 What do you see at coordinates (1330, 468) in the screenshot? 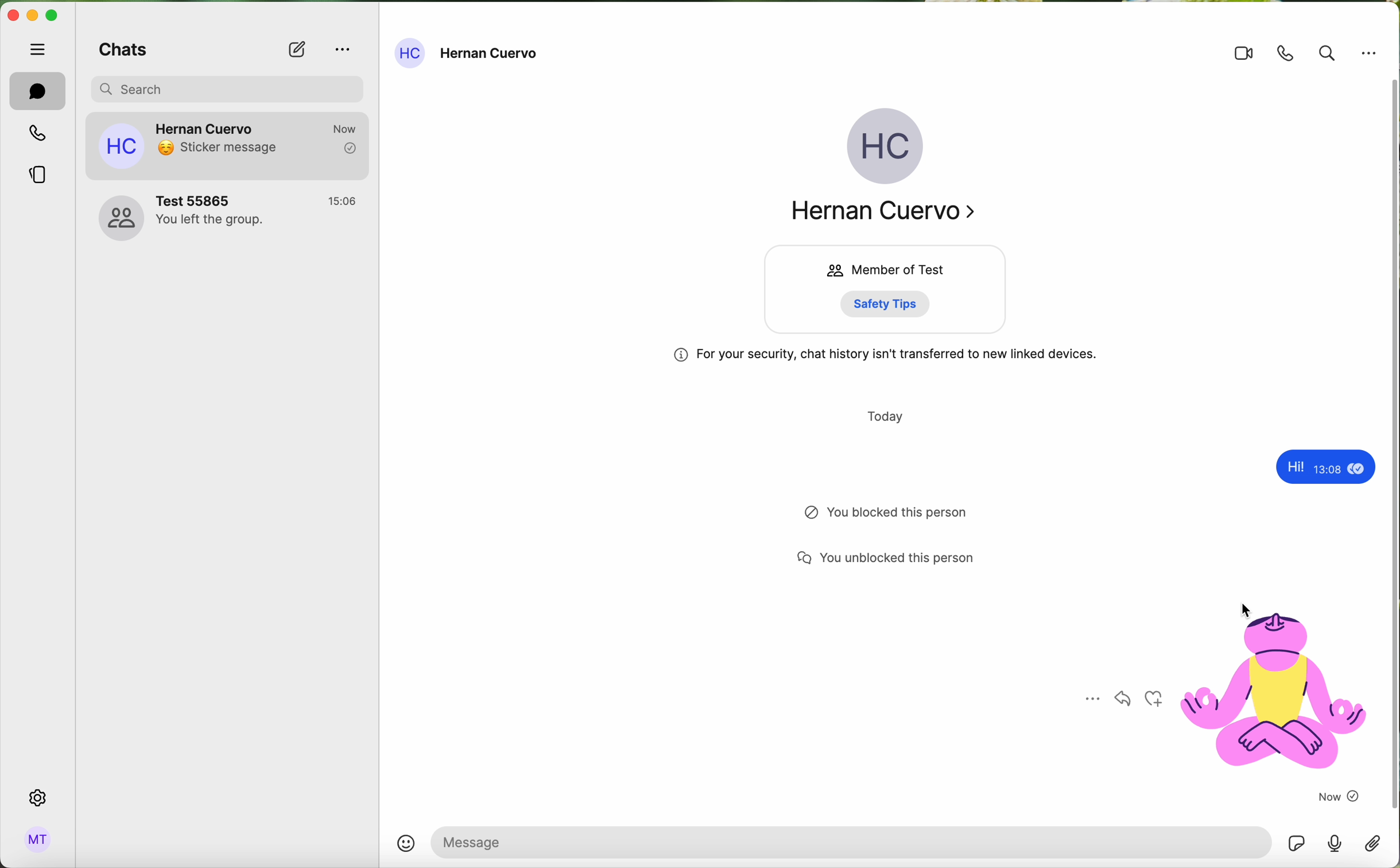
I see `message` at bounding box center [1330, 468].